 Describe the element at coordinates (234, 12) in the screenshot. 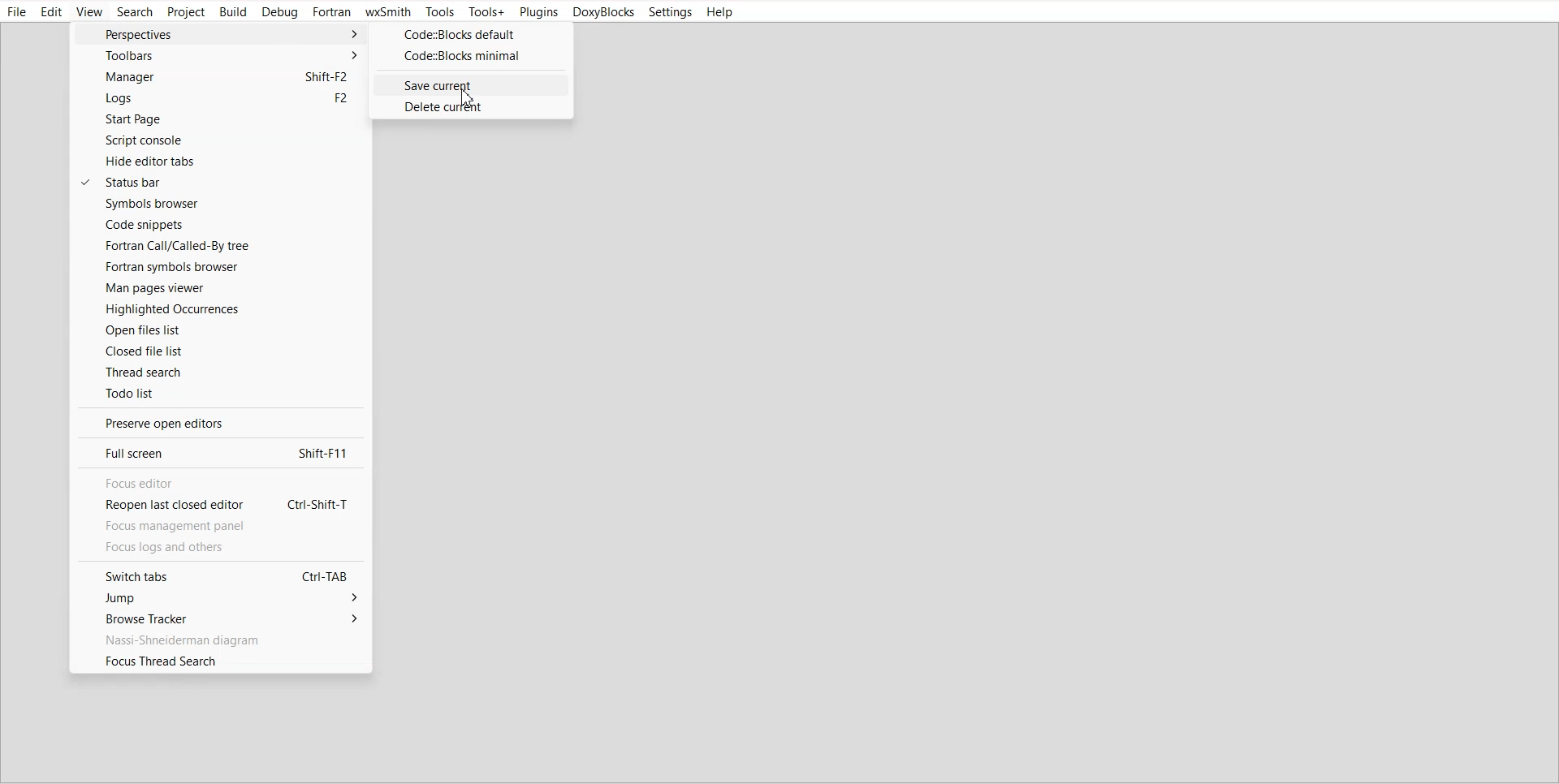

I see `Build` at that location.